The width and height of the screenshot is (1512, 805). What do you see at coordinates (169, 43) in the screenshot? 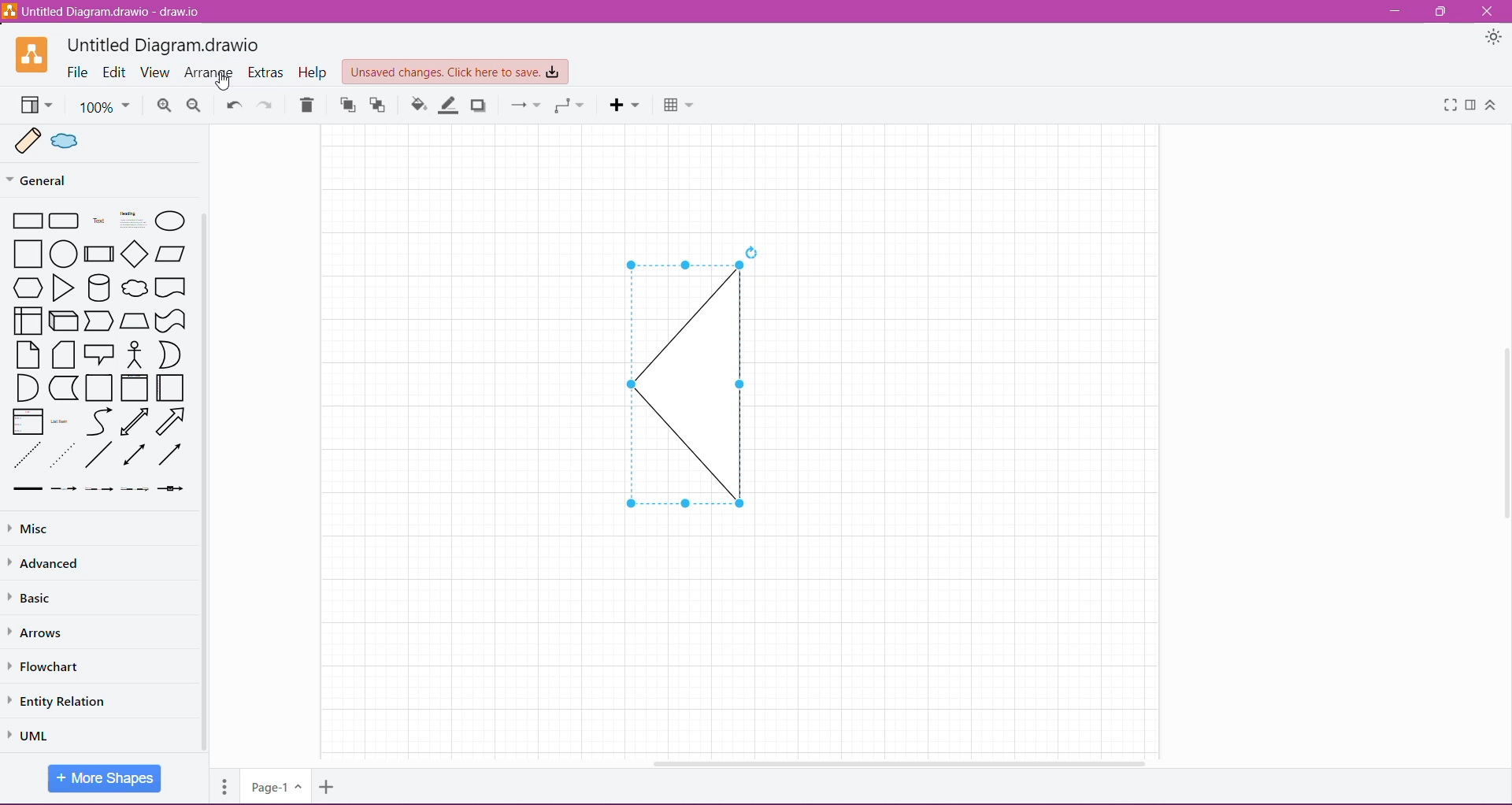
I see `Untitled Diagram.draw.io` at bounding box center [169, 43].